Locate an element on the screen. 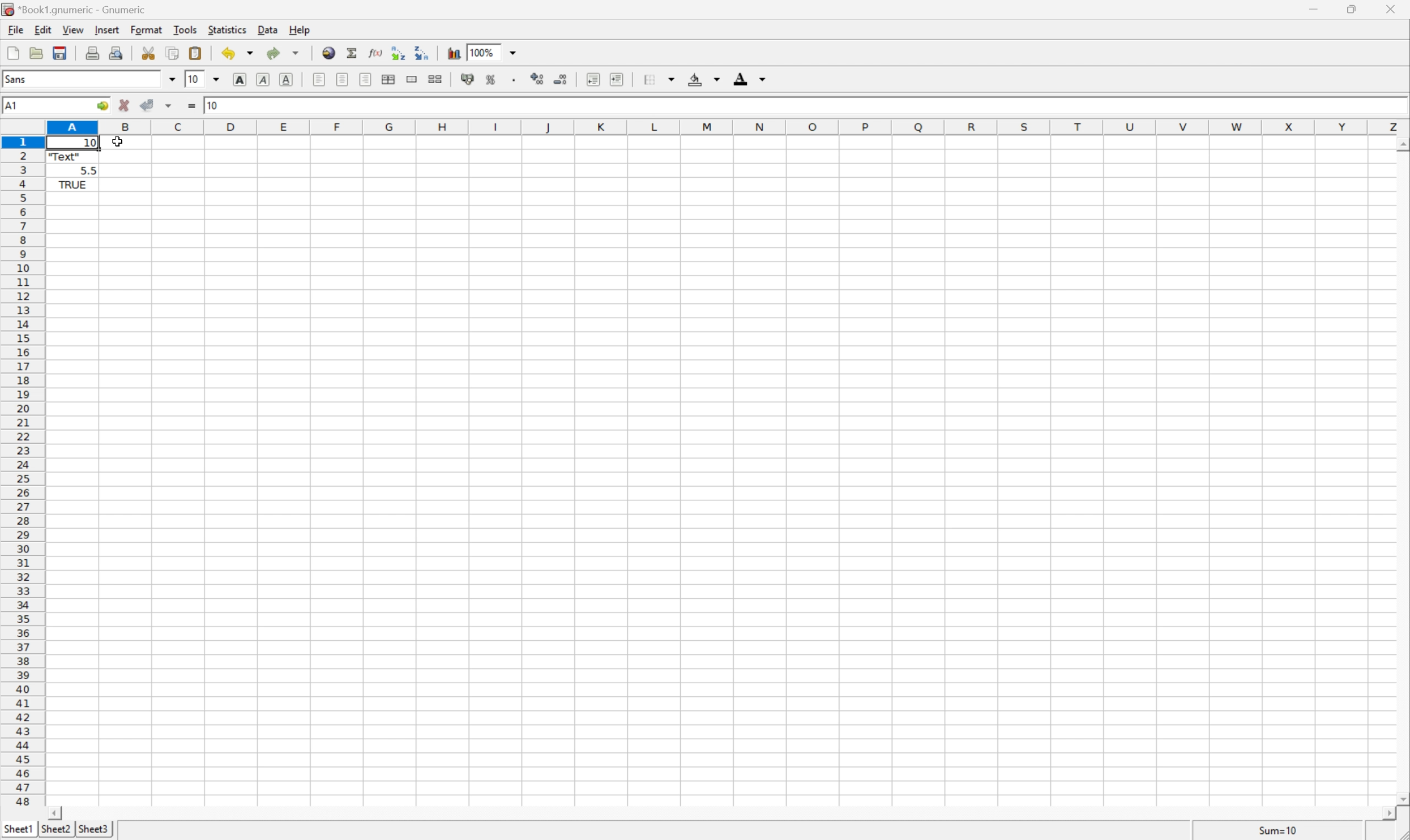  Undo is located at coordinates (238, 52).